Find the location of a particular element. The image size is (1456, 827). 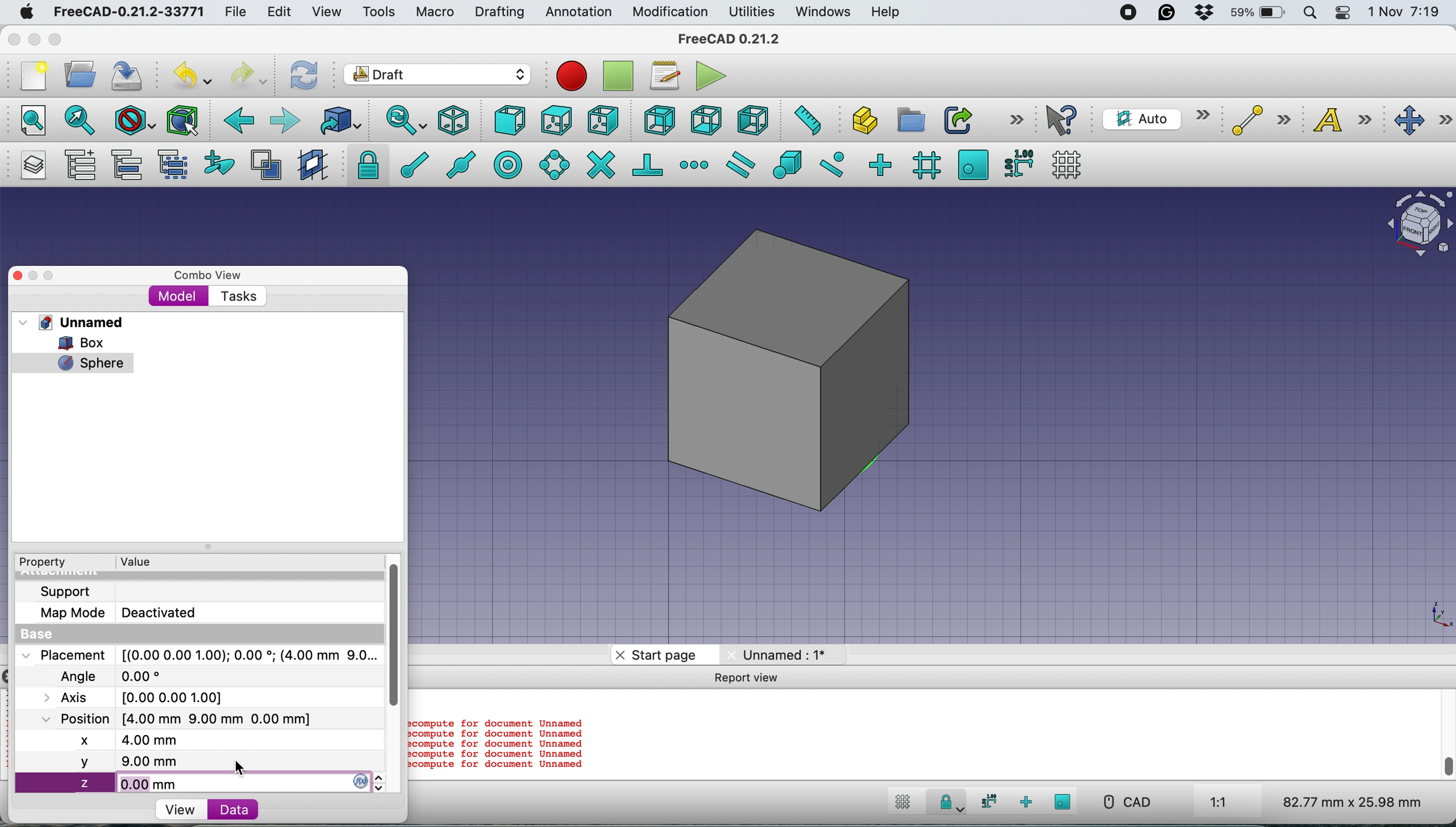

xy coordinate is located at coordinates (1424, 617).